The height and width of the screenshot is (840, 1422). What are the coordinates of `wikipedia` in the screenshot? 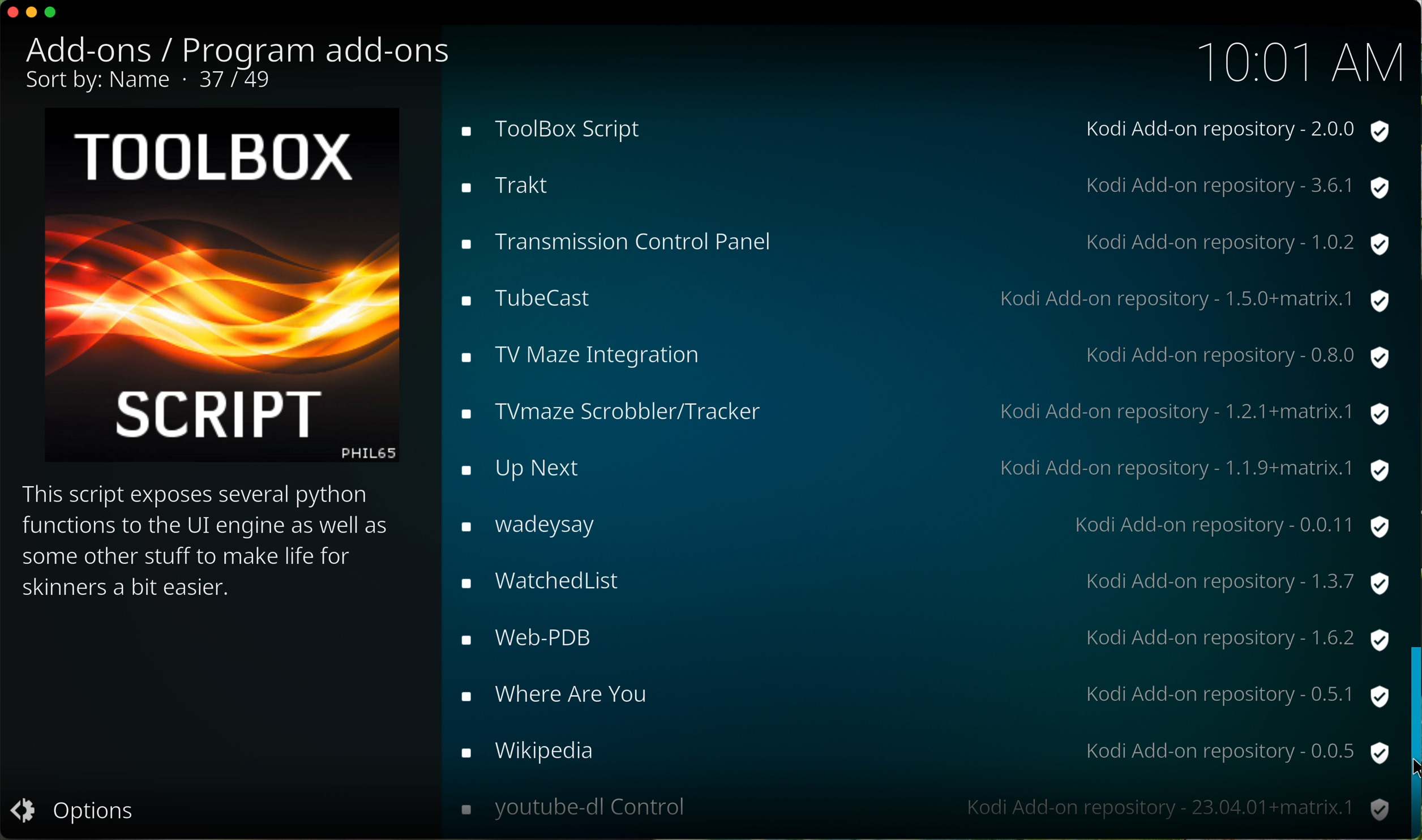 It's located at (920, 751).